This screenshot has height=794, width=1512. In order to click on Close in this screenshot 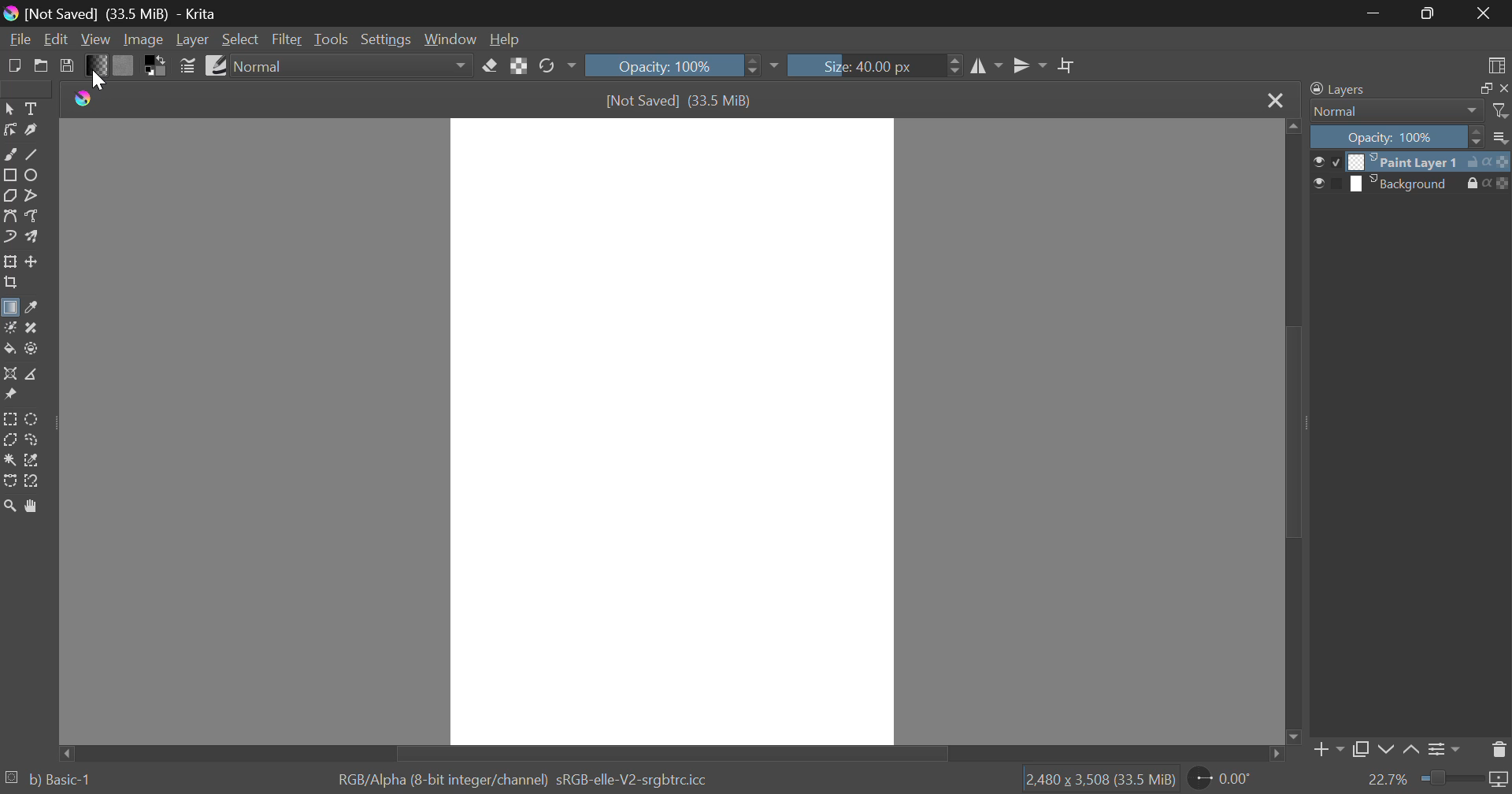, I will do `click(1274, 100)`.